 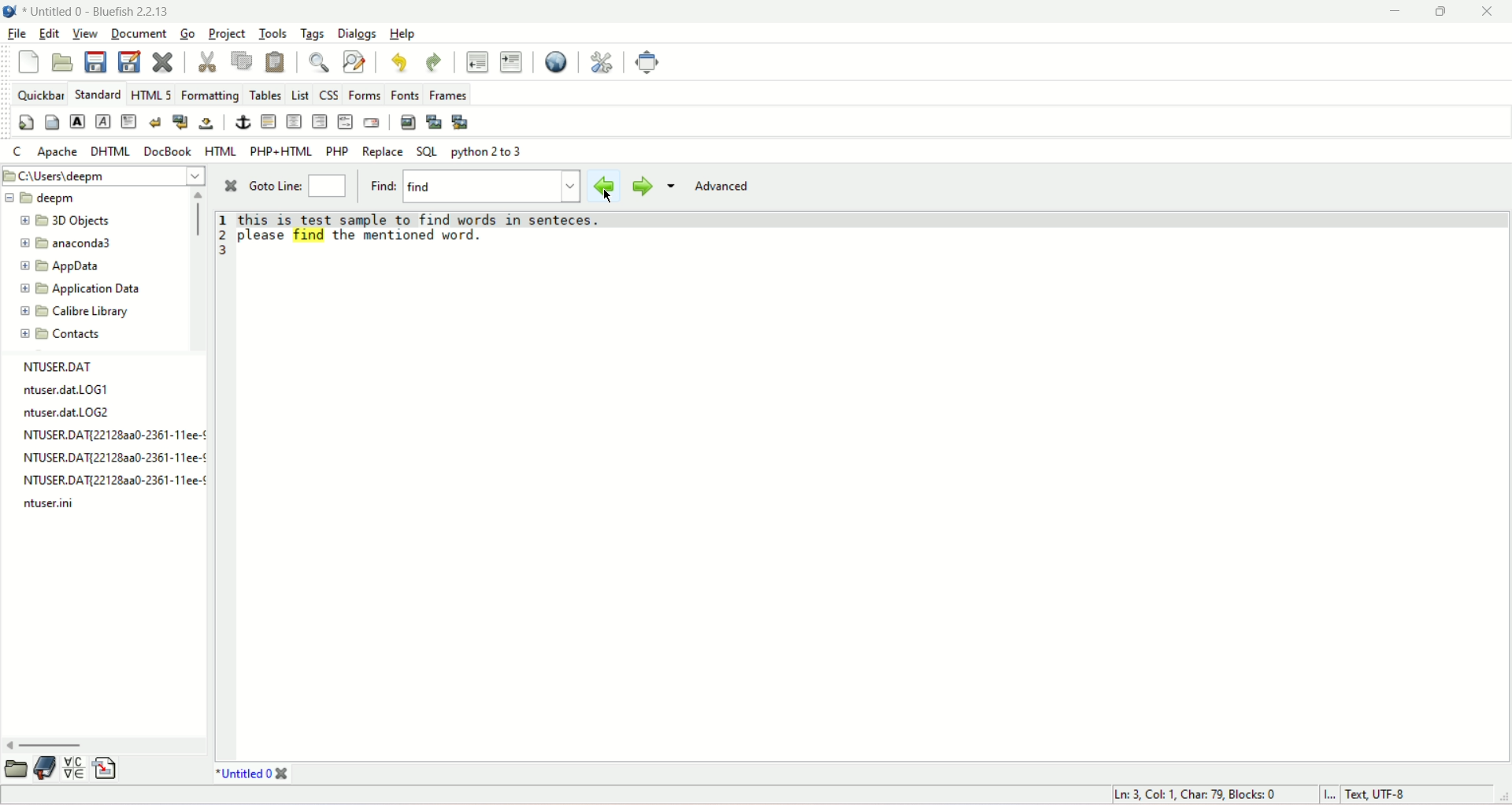 What do you see at coordinates (105, 772) in the screenshot?
I see `insert file` at bounding box center [105, 772].